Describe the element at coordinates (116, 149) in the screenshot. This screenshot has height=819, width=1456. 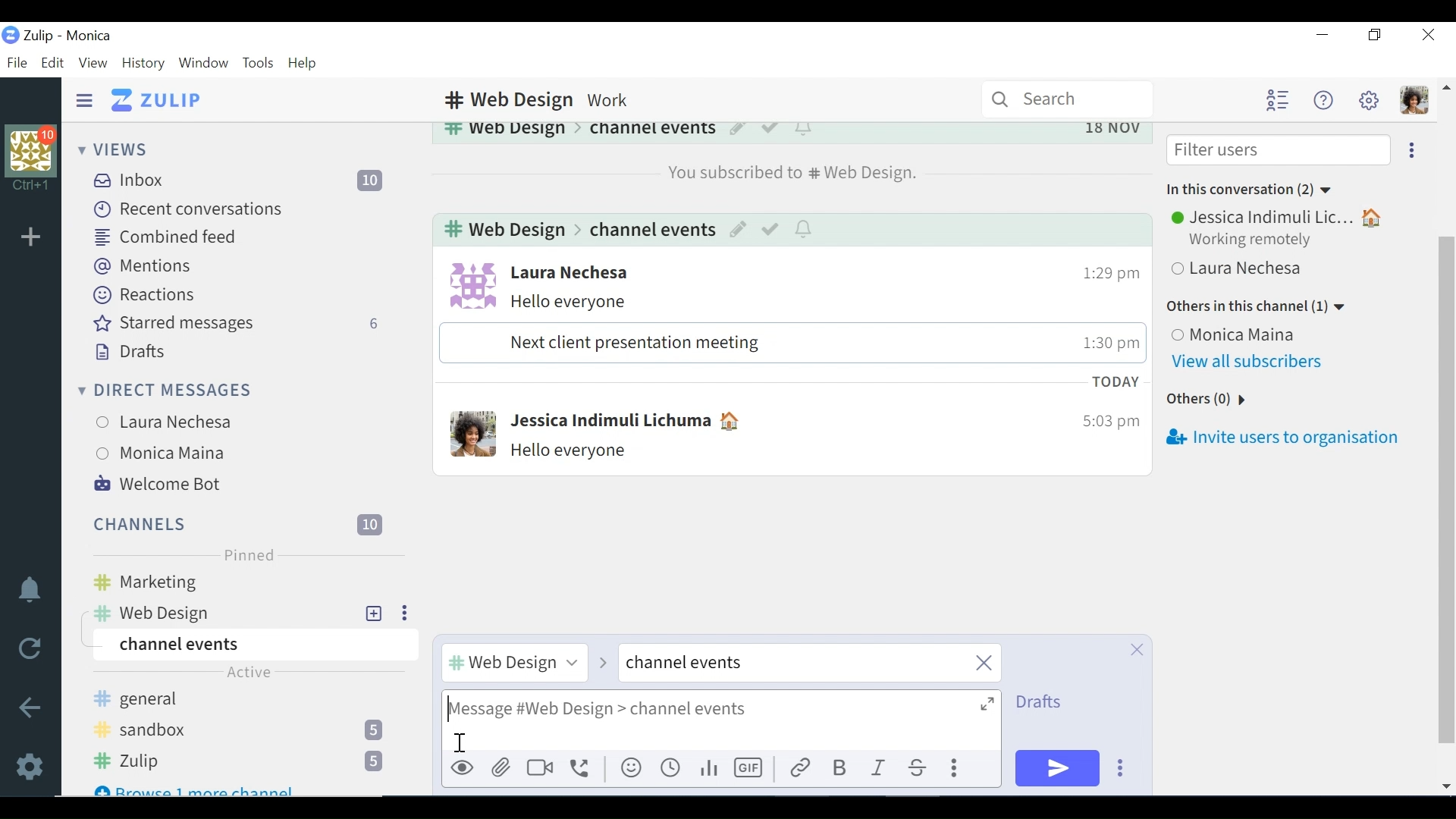
I see `Views menu` at that location.